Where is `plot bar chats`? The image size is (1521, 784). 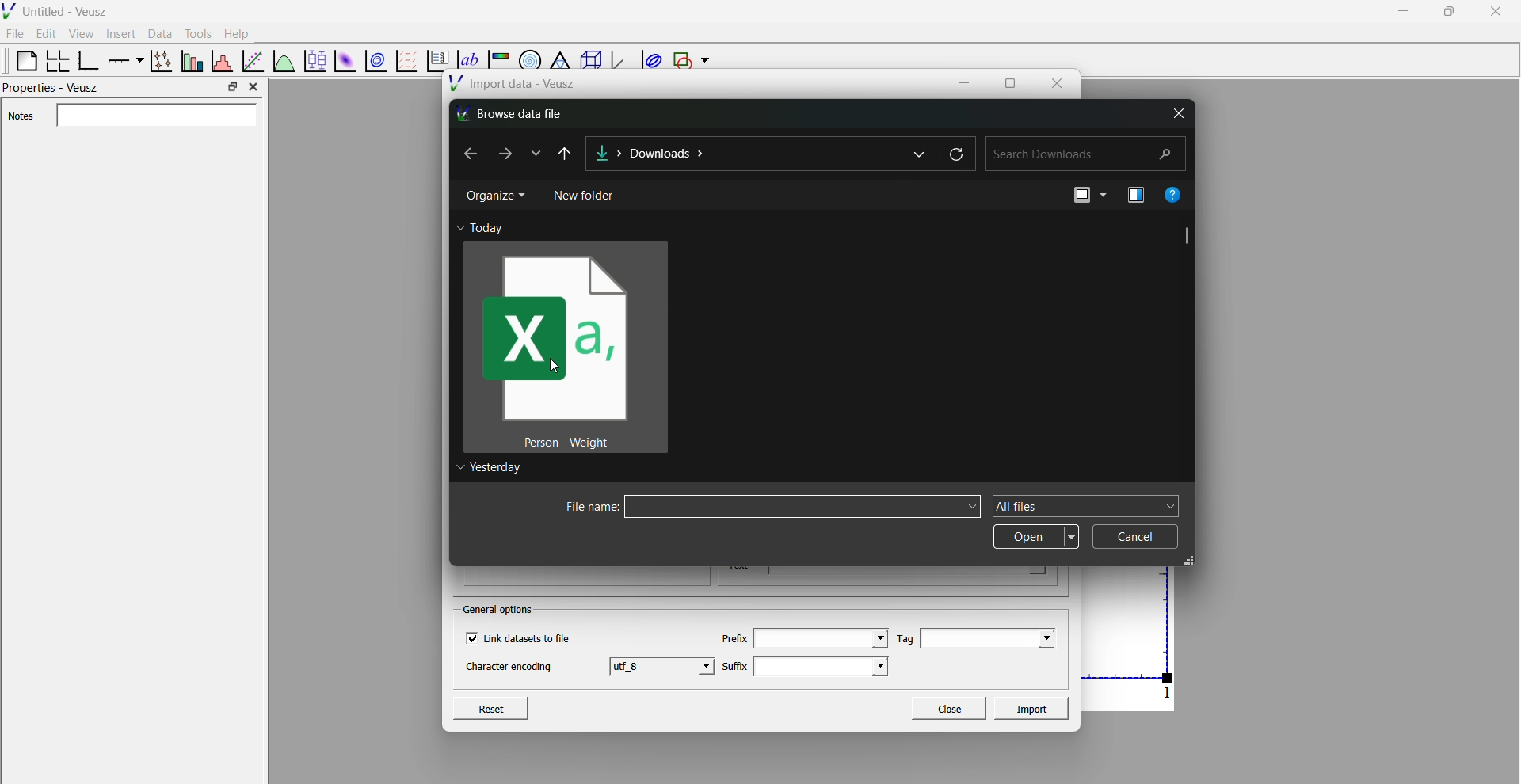
plot bar chats is located at coordinates (190, 61).